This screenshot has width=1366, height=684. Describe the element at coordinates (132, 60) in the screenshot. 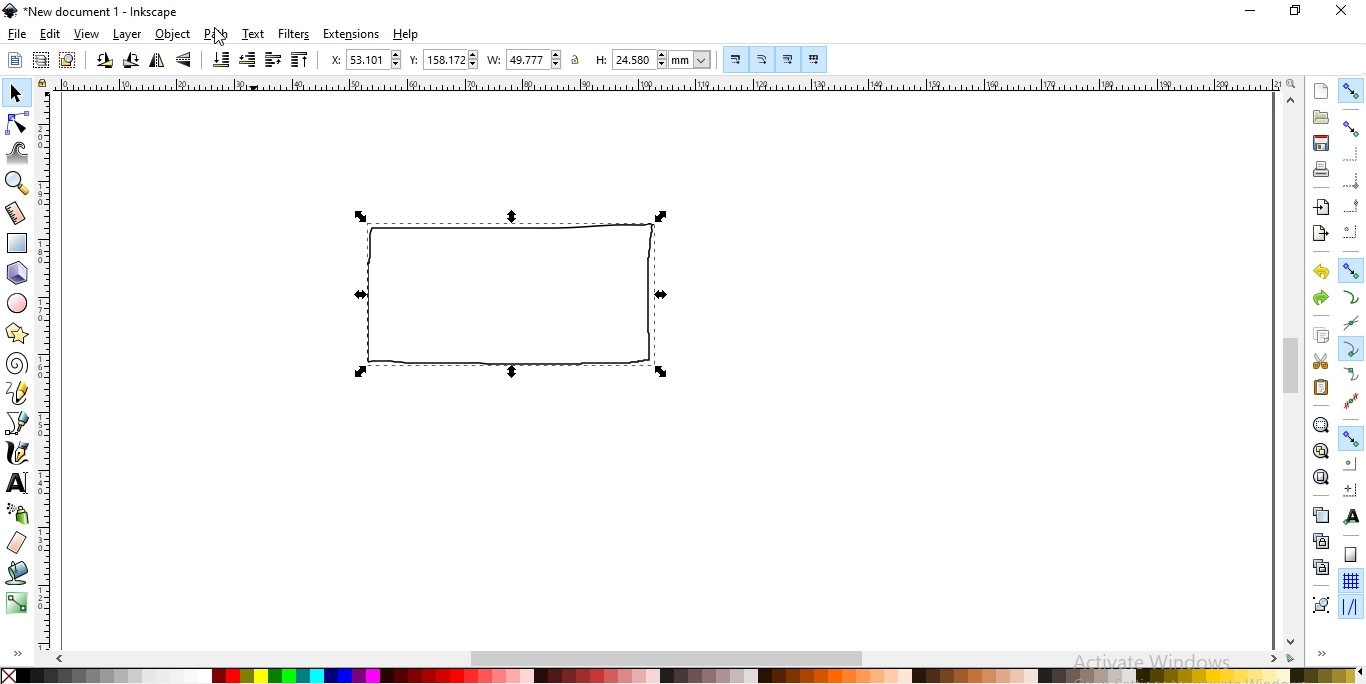

I see `rotation selection 90 clockwise` at that location.